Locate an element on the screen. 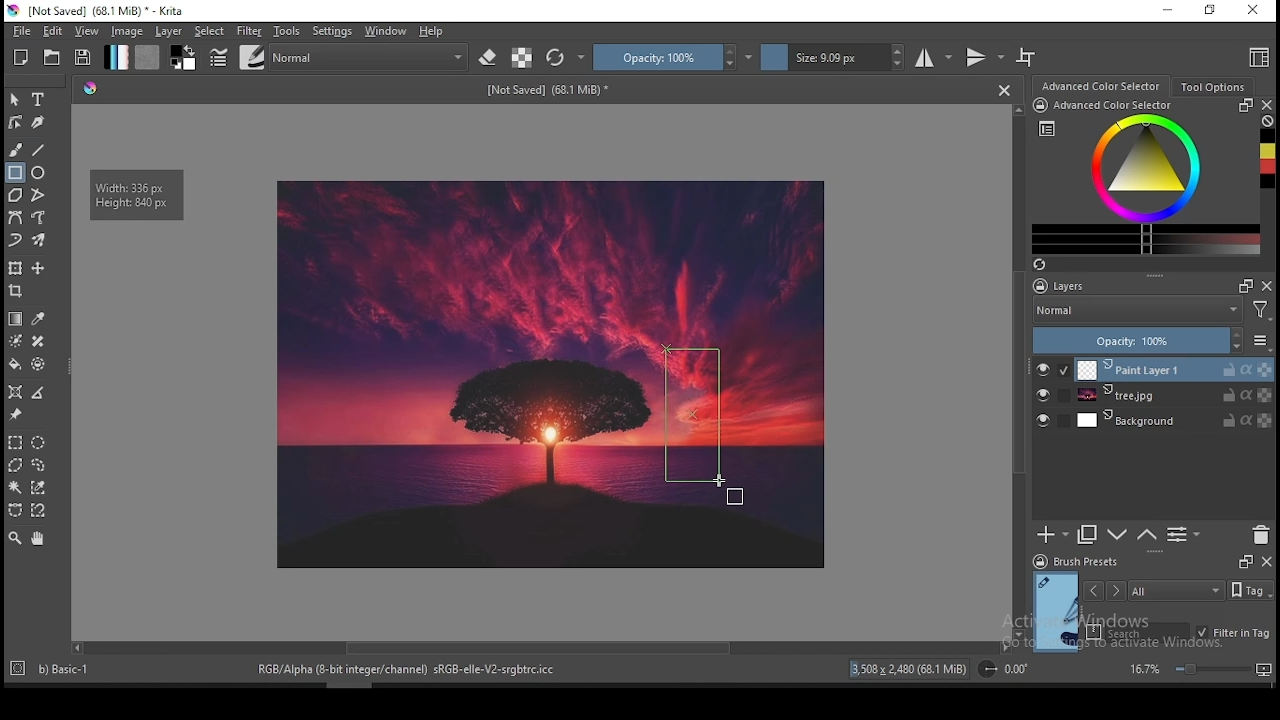 This screenshot has height=720, width=1280. layer visibility on/off is located at coordinates (1044, 369).